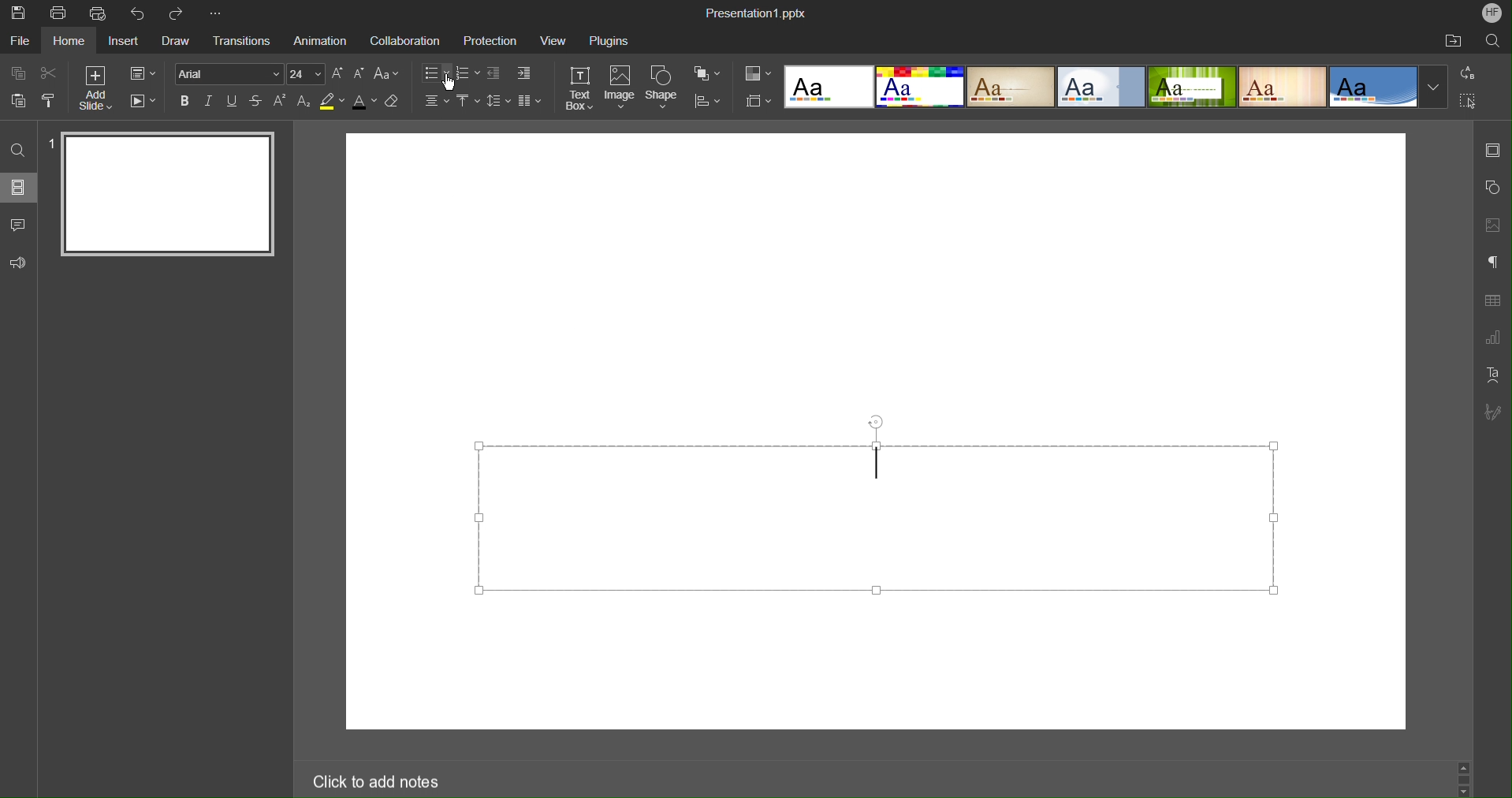 This screenshot has height=798, width=1512. What do you see at coordinates (69, 42) in the screenshot?
I see `Home` at bounding box center [69, 42].